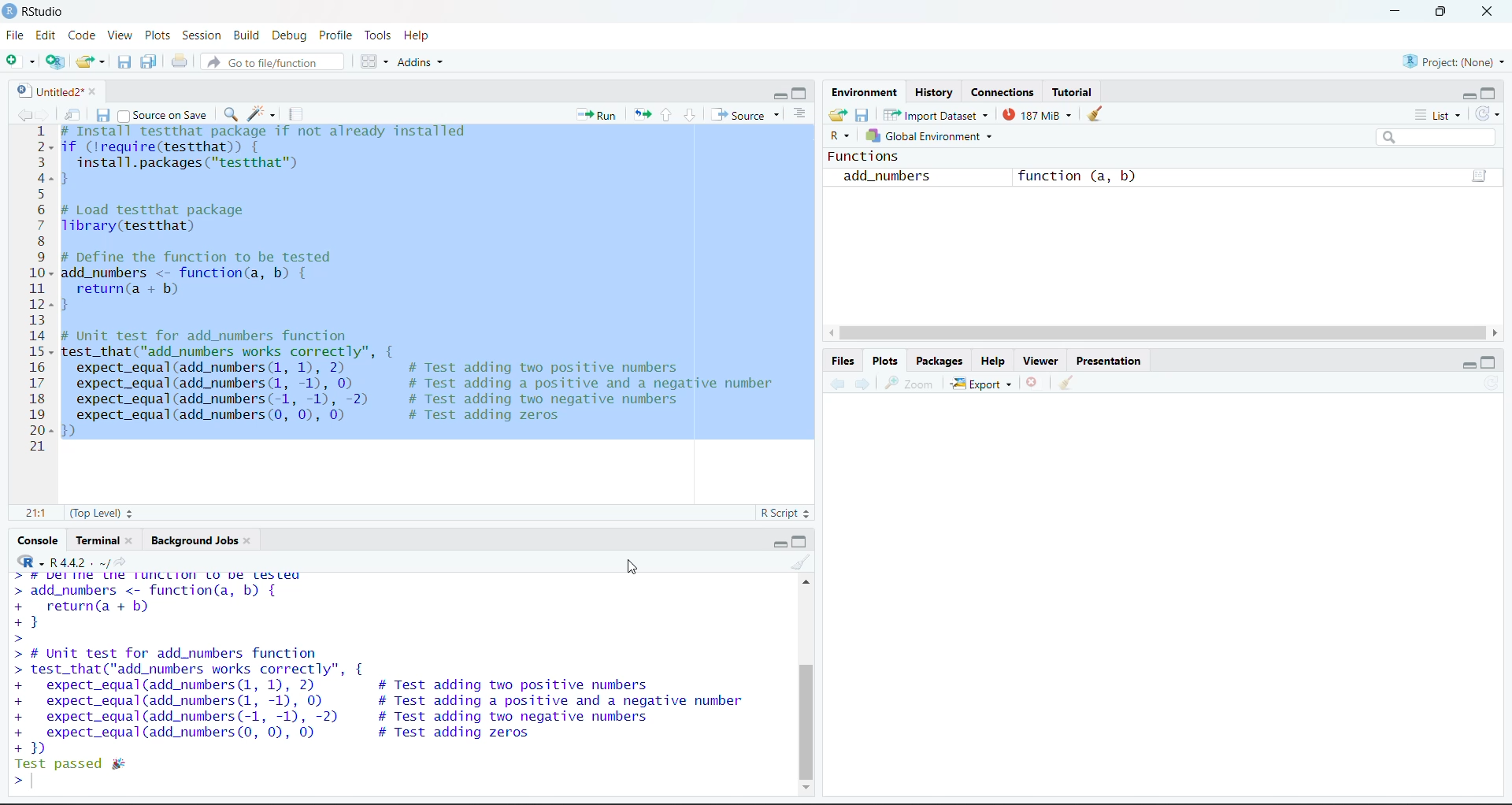  I want to click on zoom, so click(911, 382).